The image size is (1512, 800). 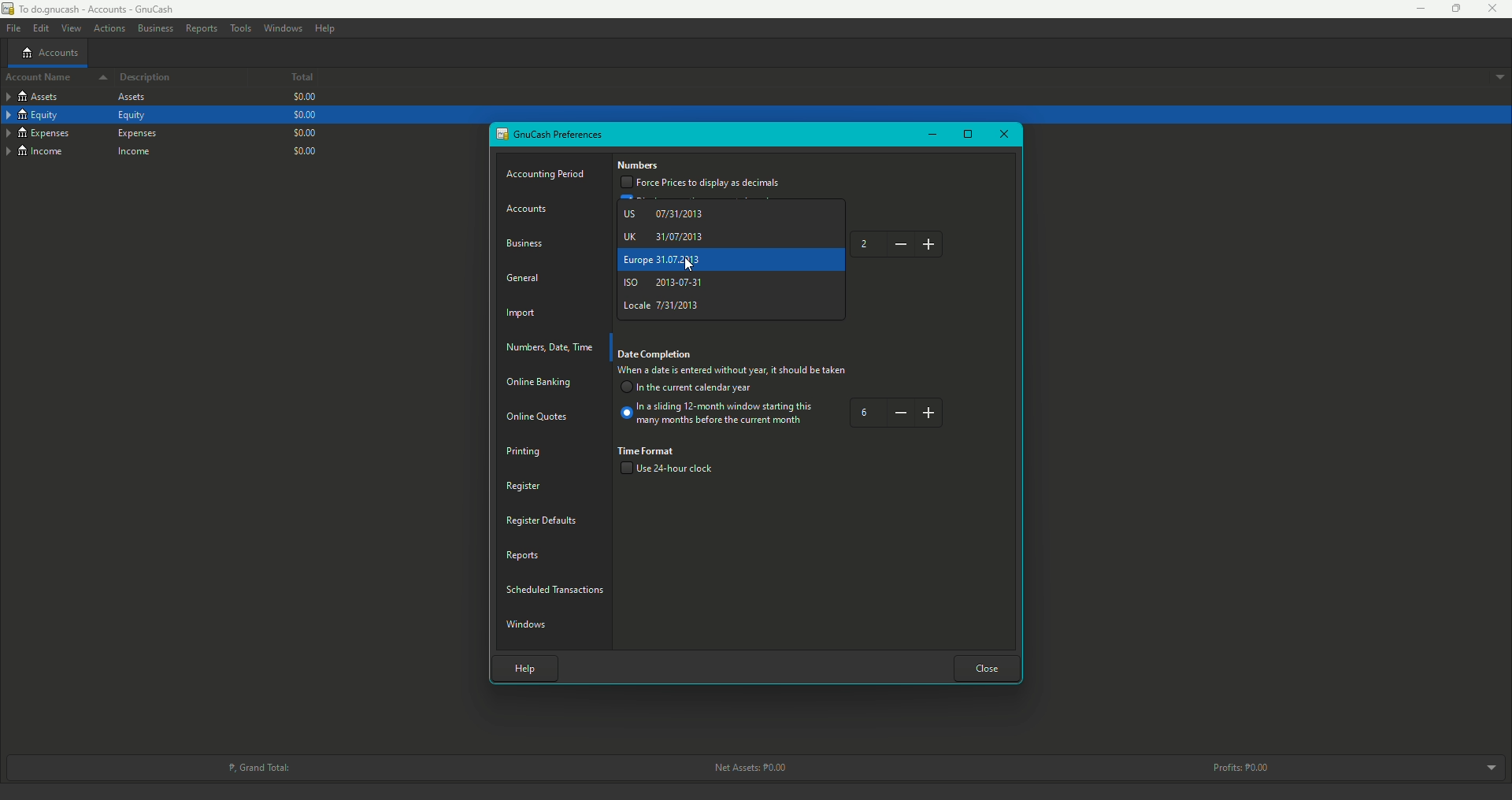 What do you see at coordinates (521, 666) in the screenshot?
I see `Help` at bounding box center [521, 666].